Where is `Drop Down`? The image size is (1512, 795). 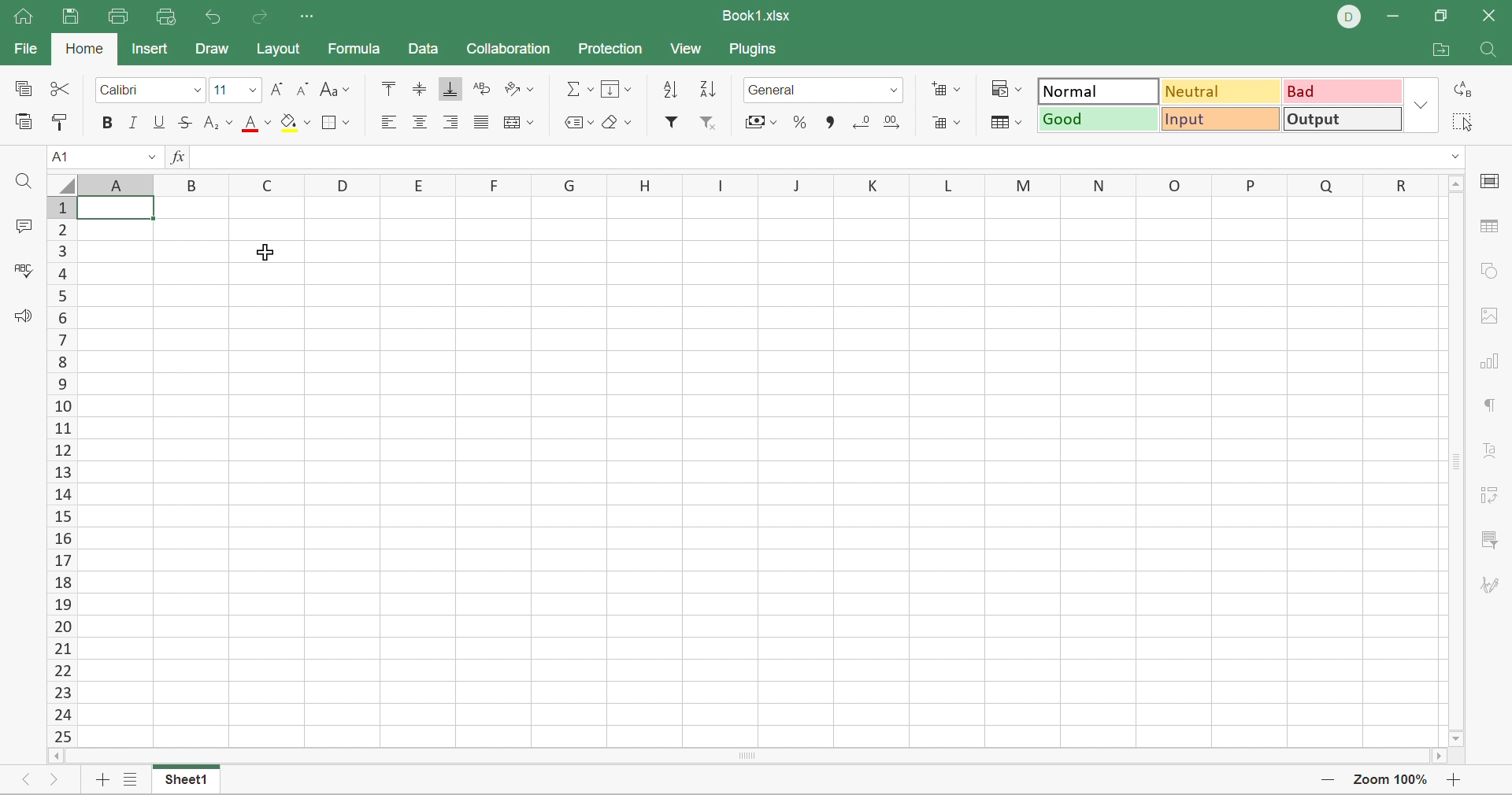
Drop Down is located at coordinates (1420, 105).